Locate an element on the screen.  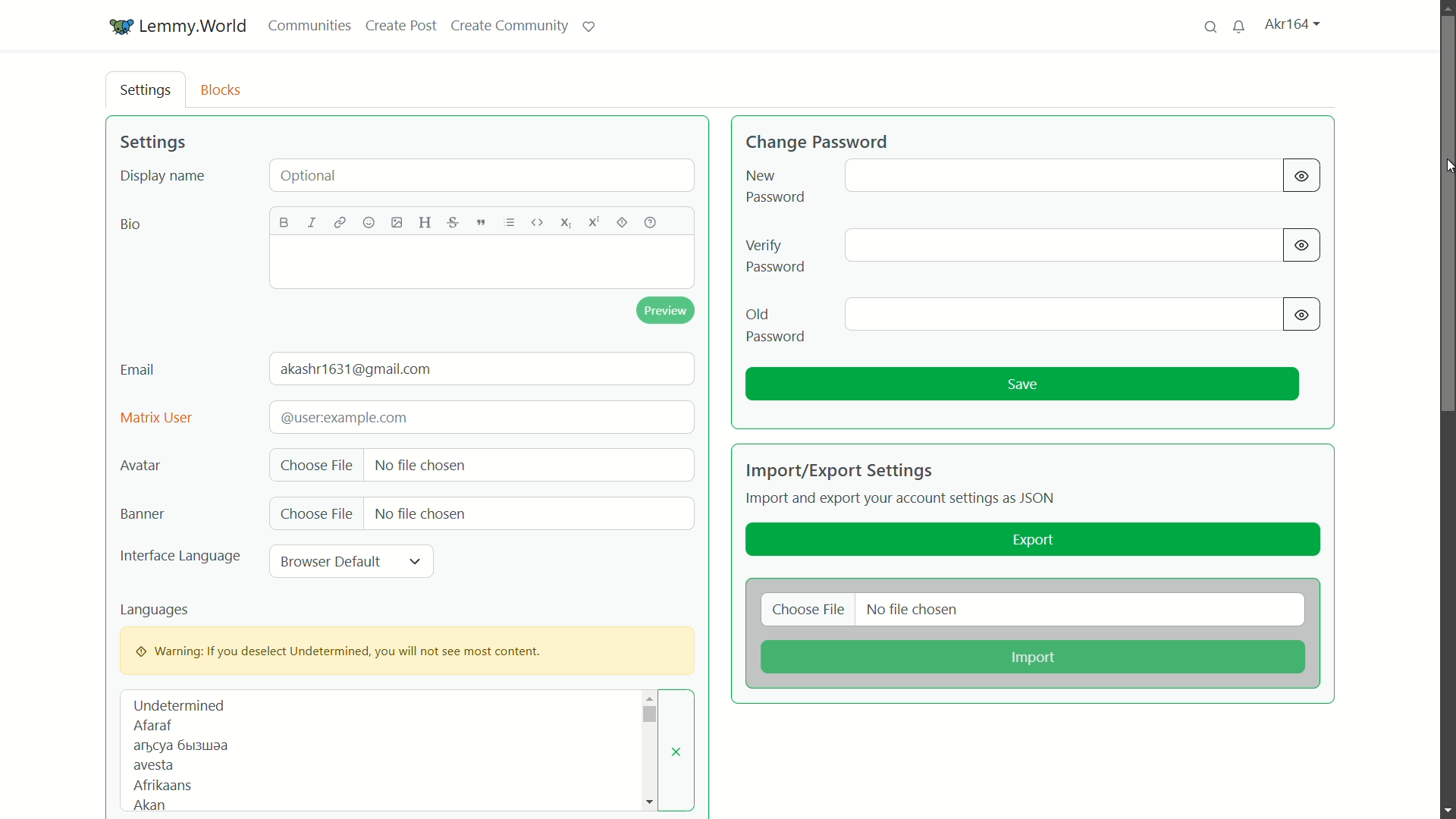
sccroll bar is located at coordinates (648, 715).